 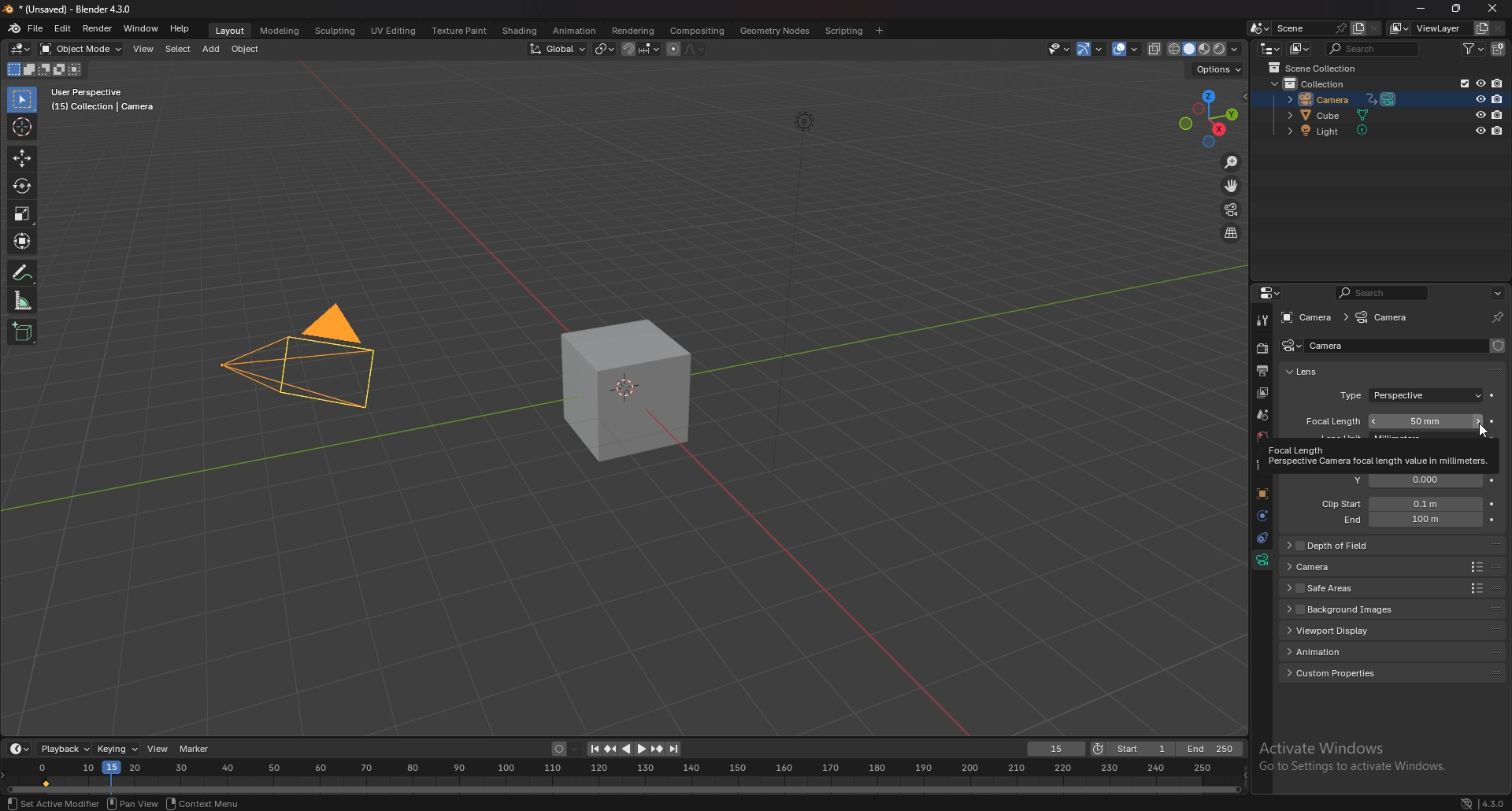 I want to click on constraints, so click(x=1262, y=537).